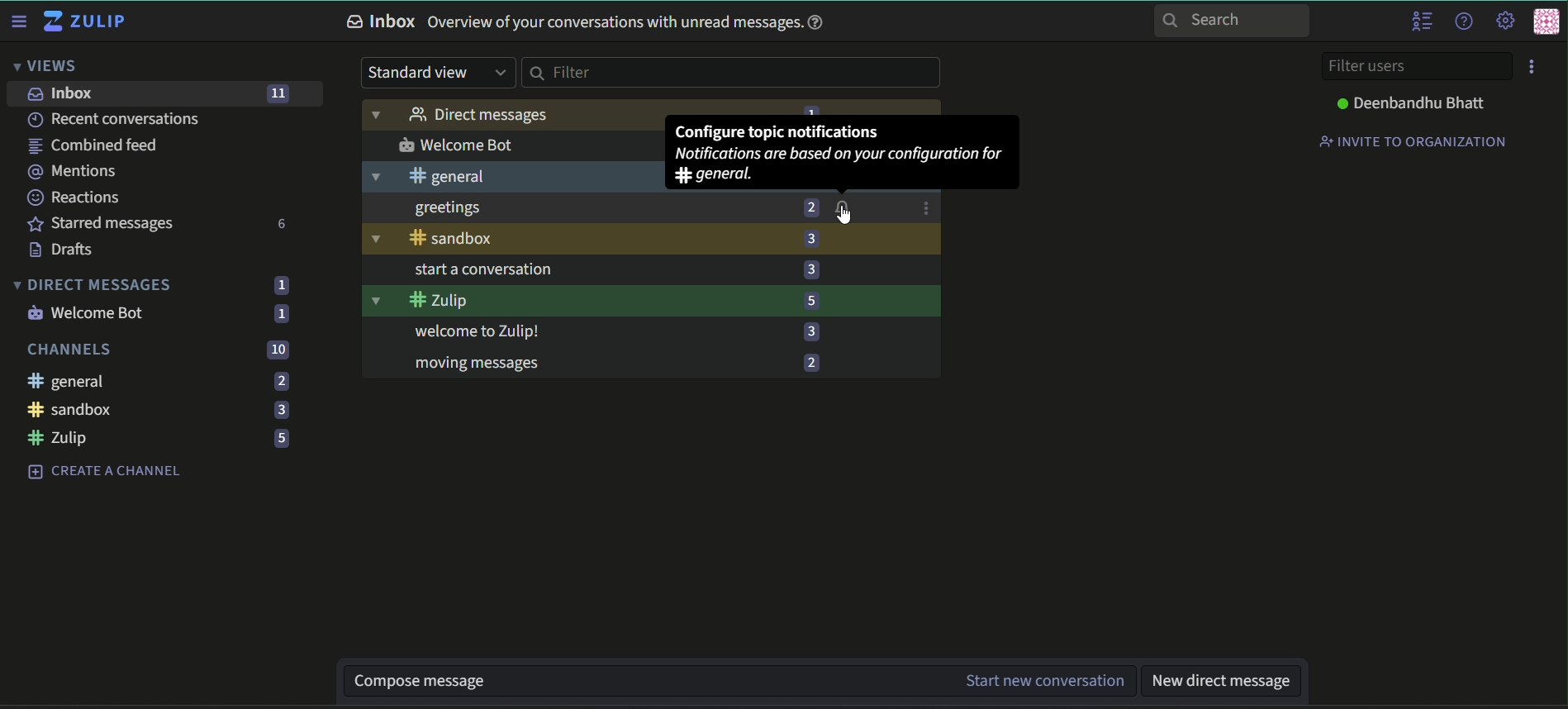 Image resolution: width=1568 pixels, height=709 pixels. I want to click on inbox, so click(64, 95).